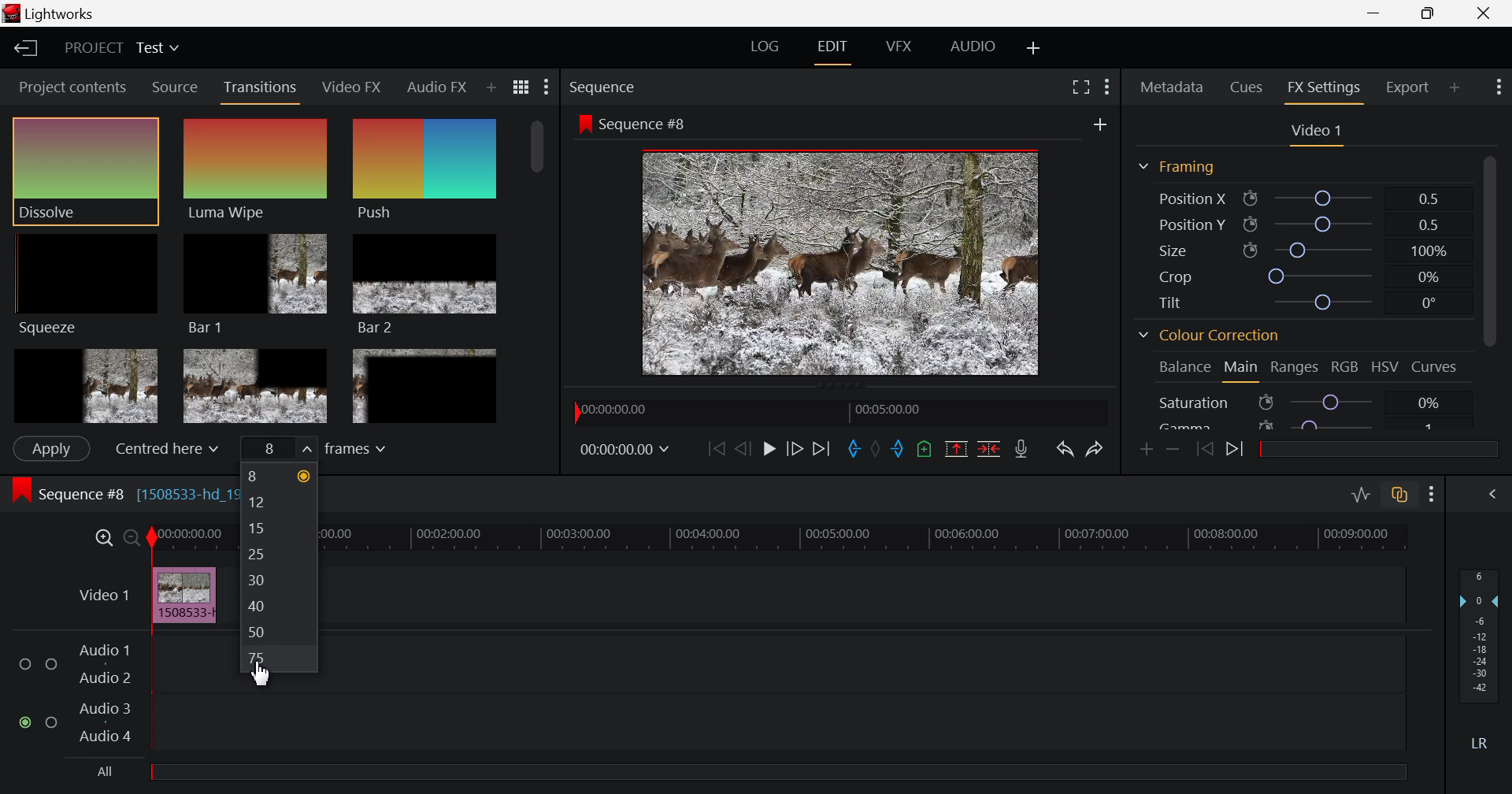 The width and height of the screenshot is (1512, 794). Describe the element at coordinates (115, 493) in the screenshot. I see `Sequence#8 [1508533-hd_1920_108` at that location.